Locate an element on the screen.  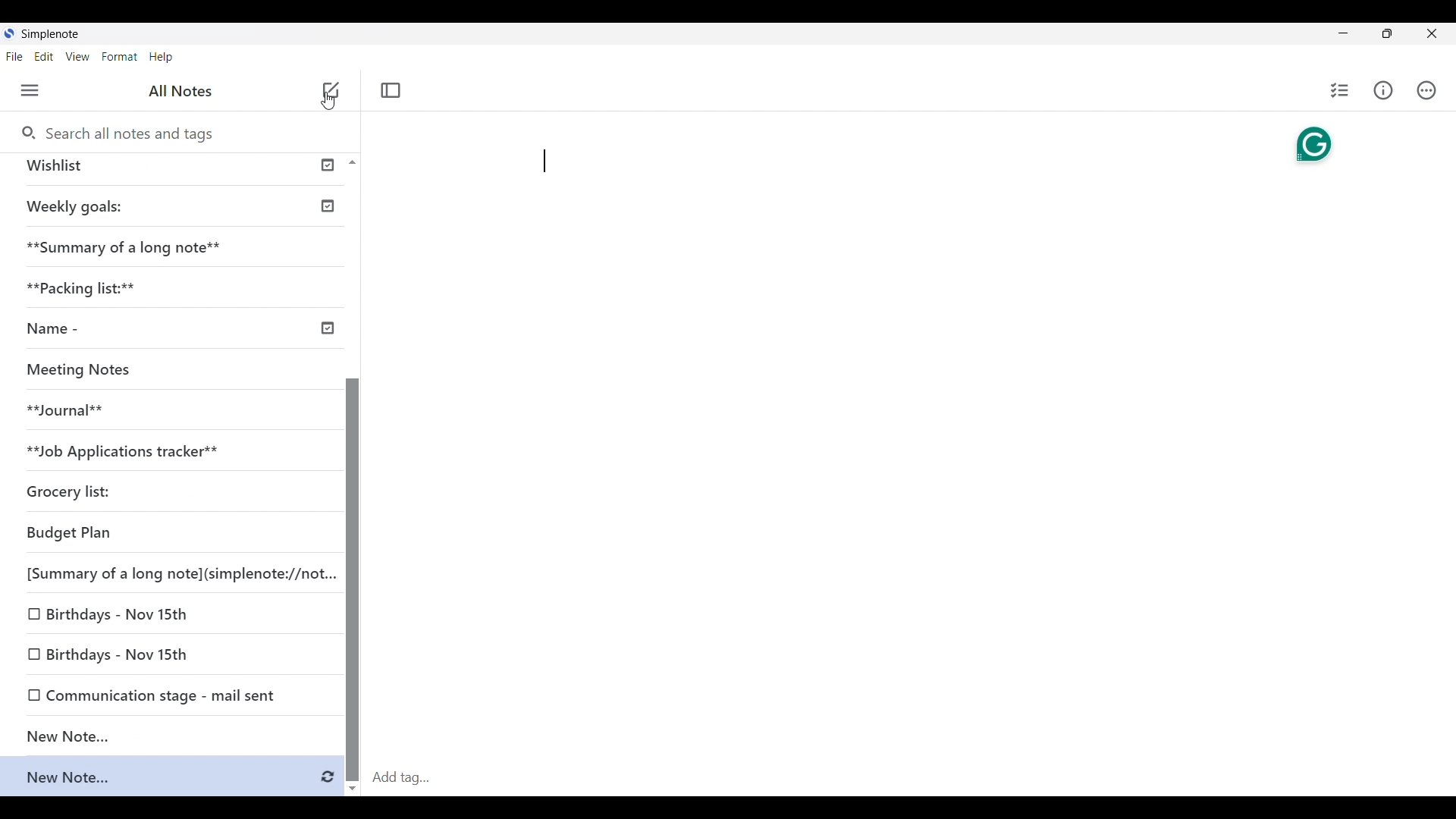
Info is located at coordinates (1382, 91).